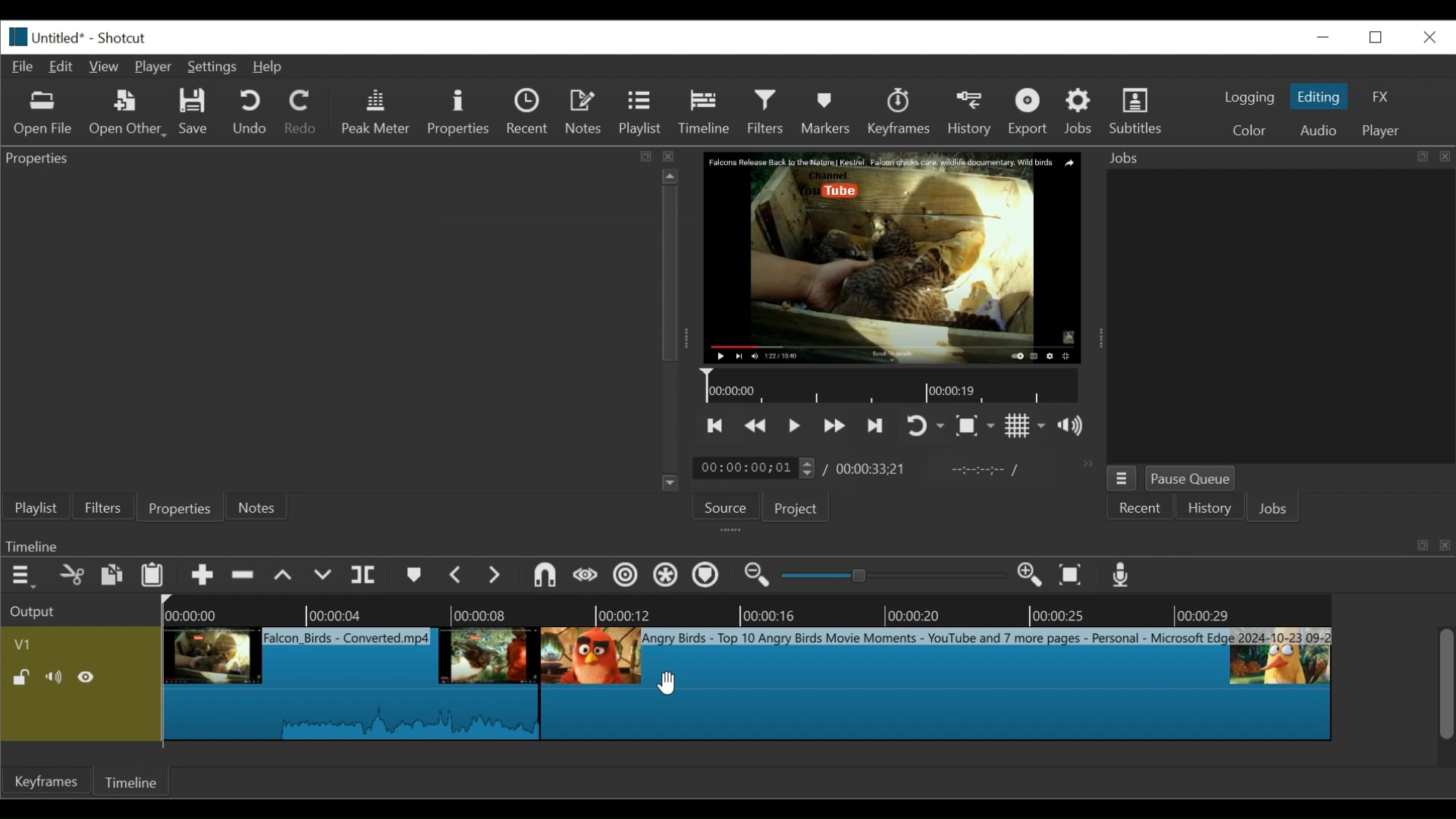  What do you see at coordinates (988, 473) in the screenshot?
I see `In Point` at bounding box center [988, 473].